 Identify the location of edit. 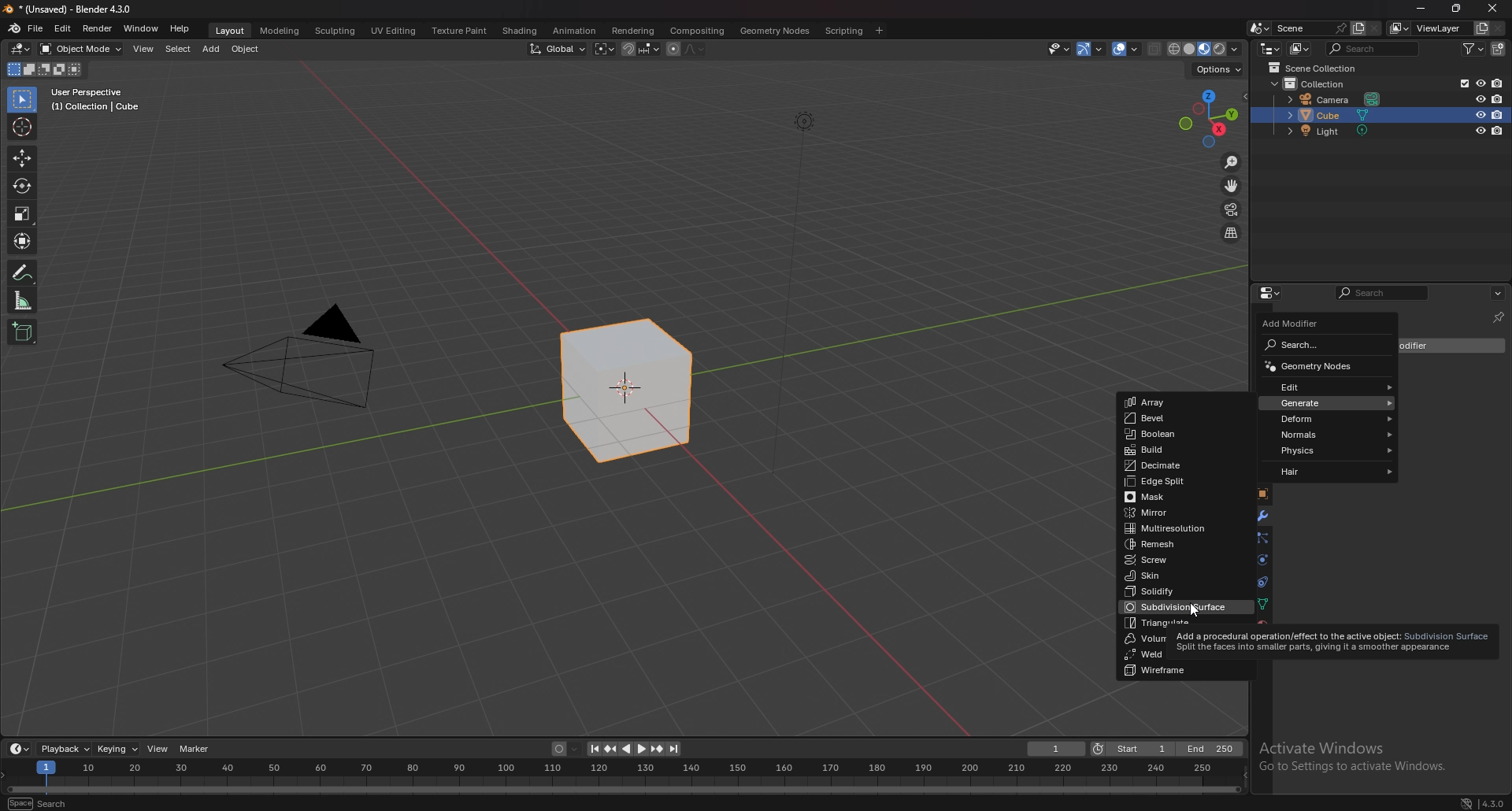
(1328, 386).